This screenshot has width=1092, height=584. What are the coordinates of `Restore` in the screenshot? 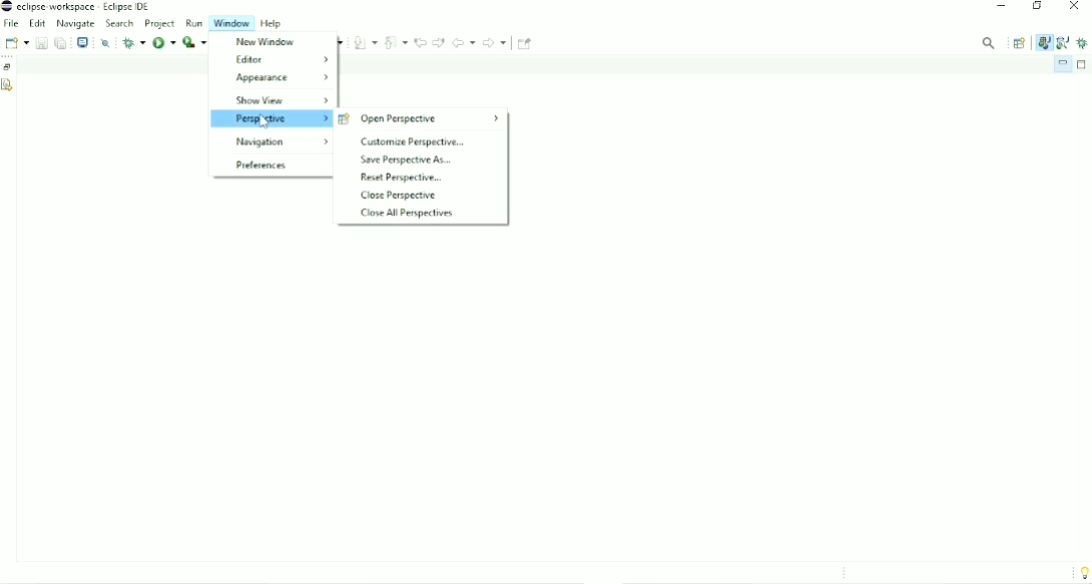 It's located at (9, 67).